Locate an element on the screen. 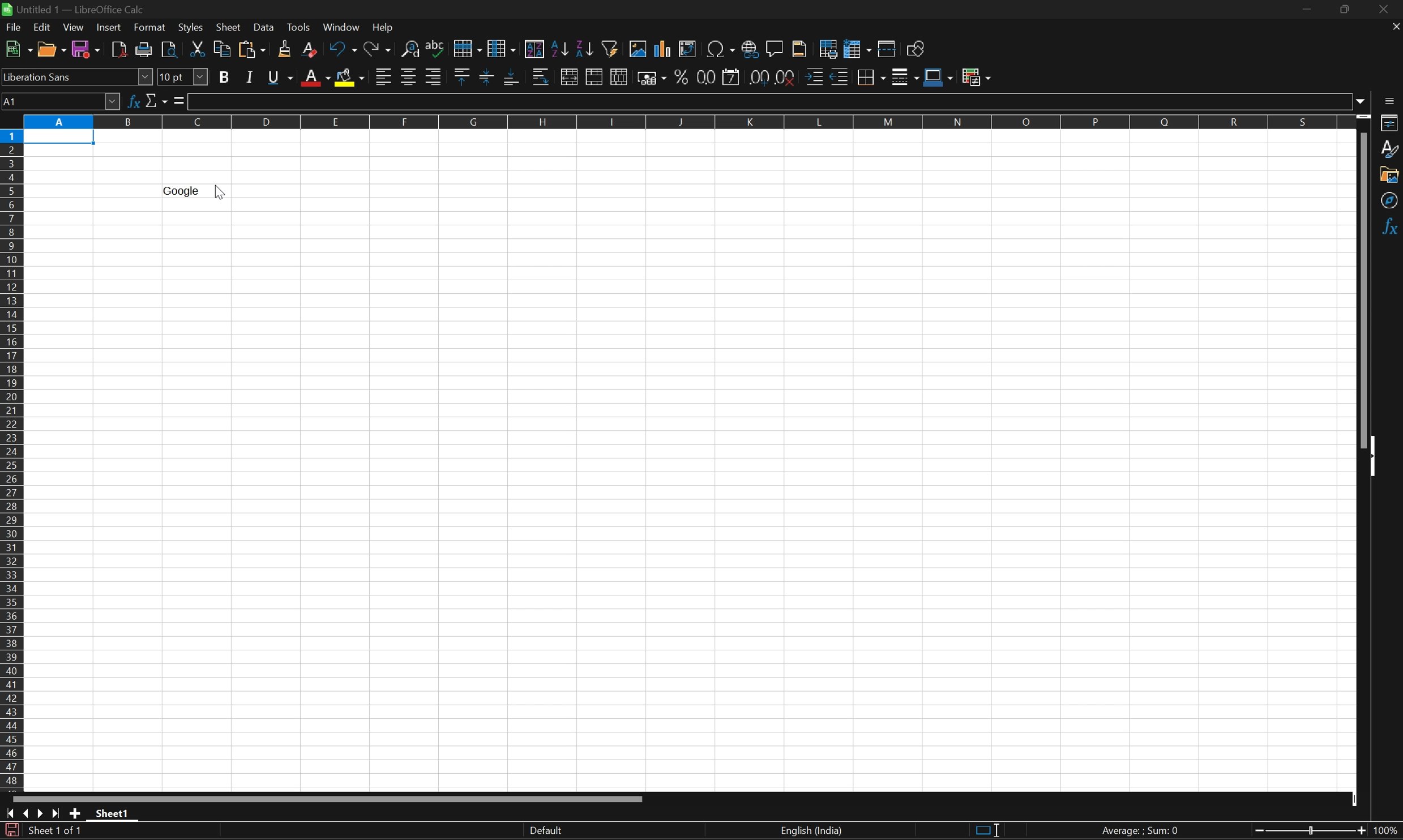 The image size is (1403, 840). Insert special characters is located at coordinates (720, 50).